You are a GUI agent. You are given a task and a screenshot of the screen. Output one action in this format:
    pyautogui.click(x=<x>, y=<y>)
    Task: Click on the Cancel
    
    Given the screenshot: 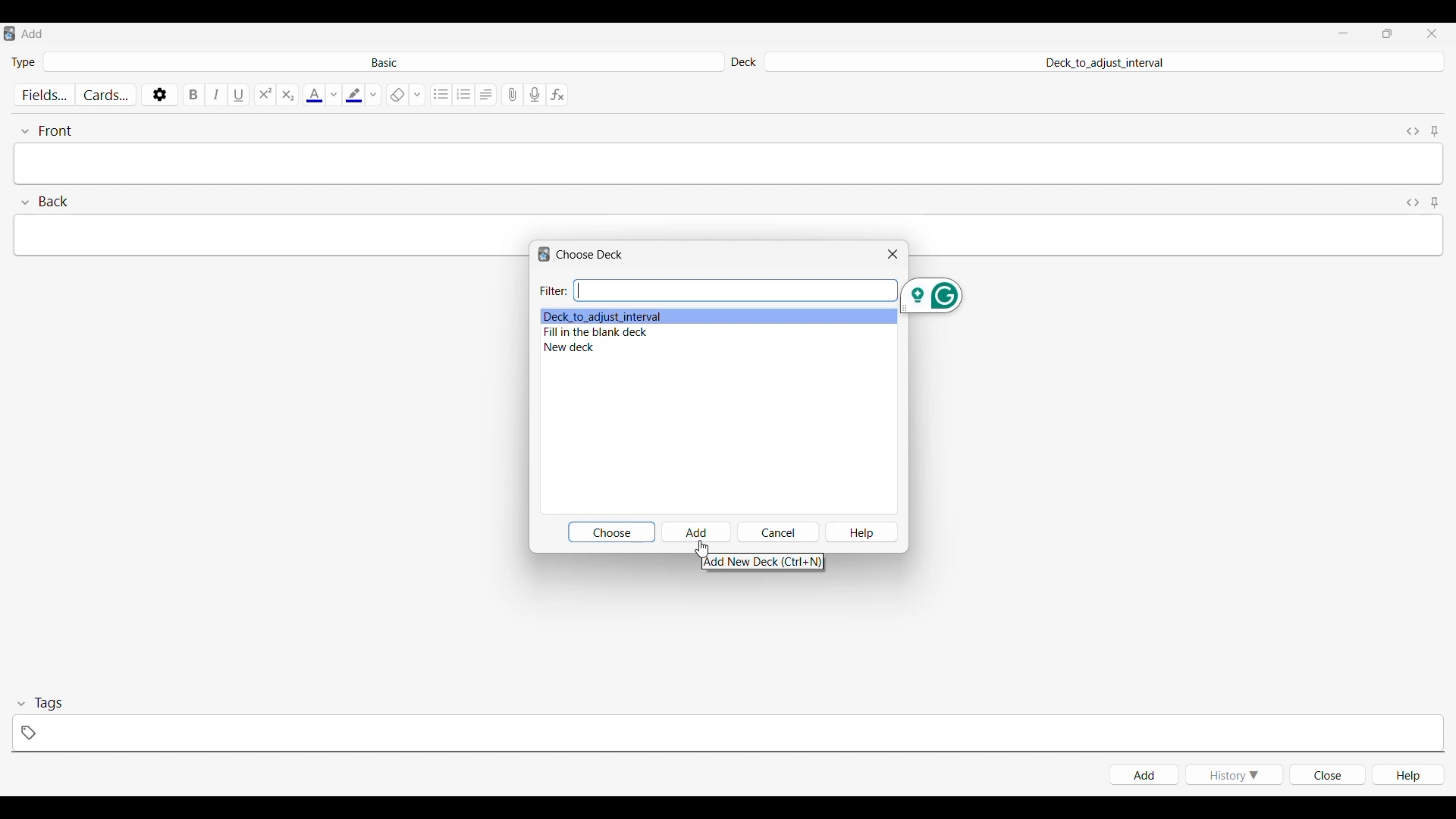 What is the action you would take?
    pyautogui.click(x=778, y=532)
    